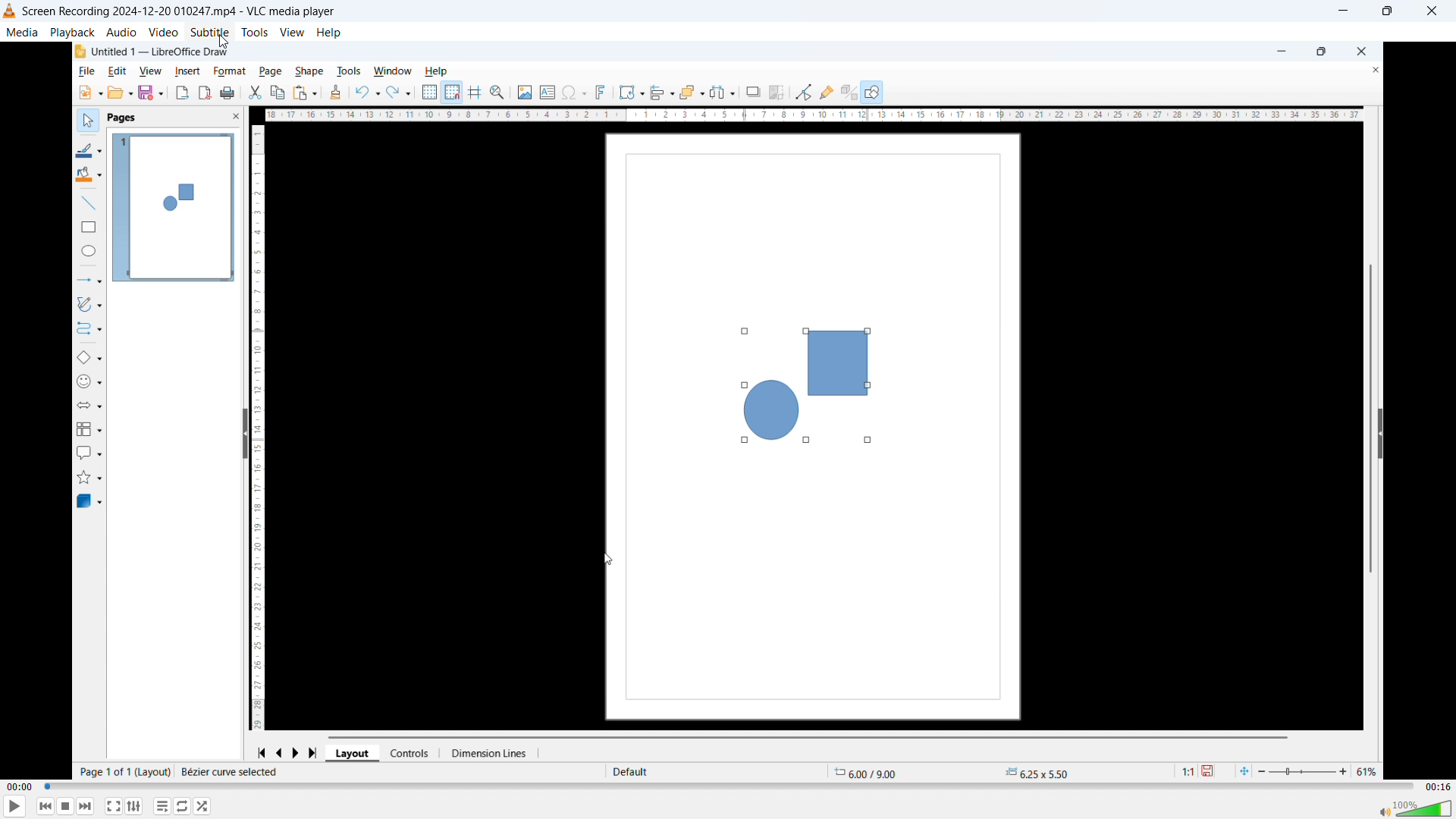 This screenshot has height=819, width=1456. Describe the element at coordinates (293, 33) in the screenshot. I see `view ` at that location.